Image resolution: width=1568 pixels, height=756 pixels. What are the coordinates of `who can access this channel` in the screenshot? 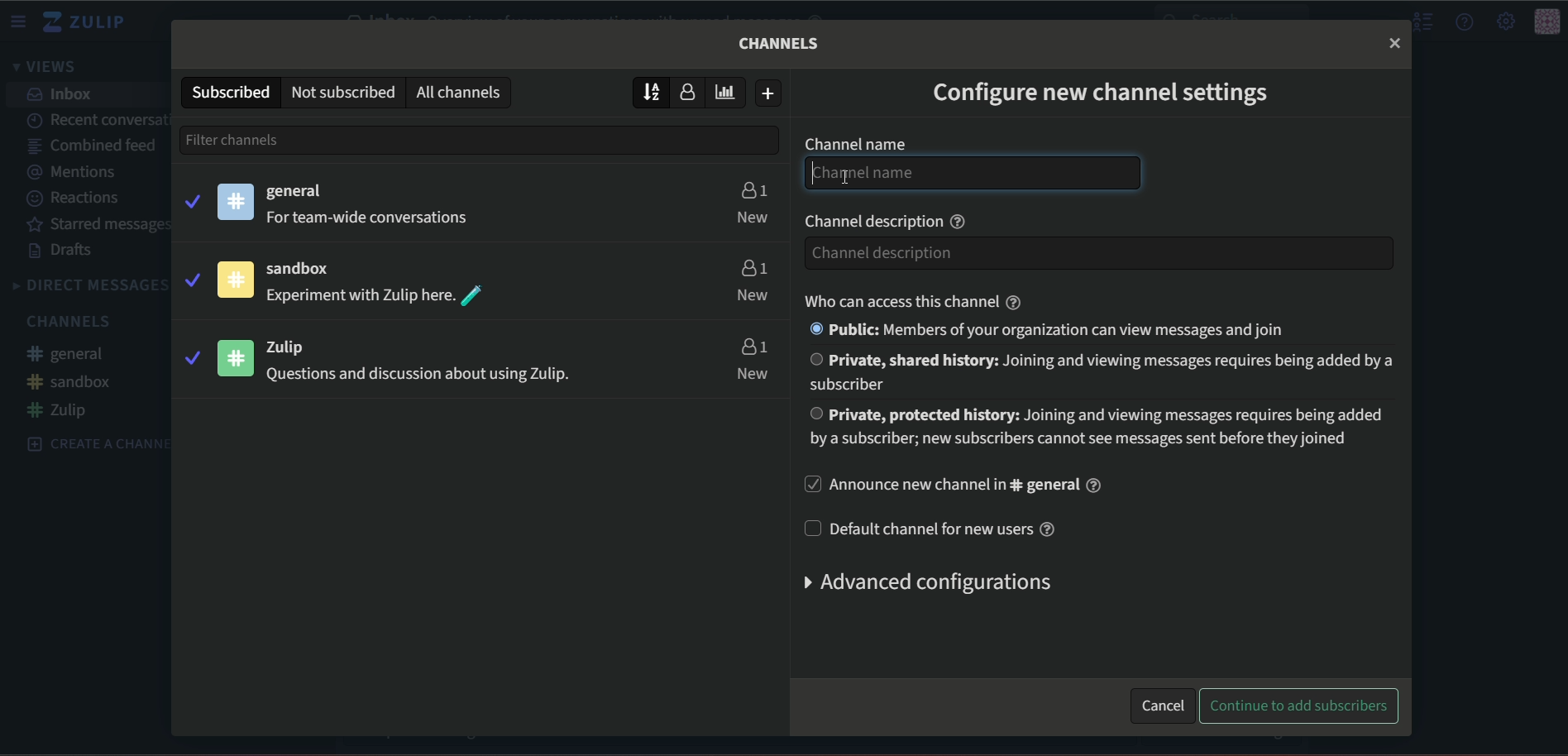 It's located at (906, 301).